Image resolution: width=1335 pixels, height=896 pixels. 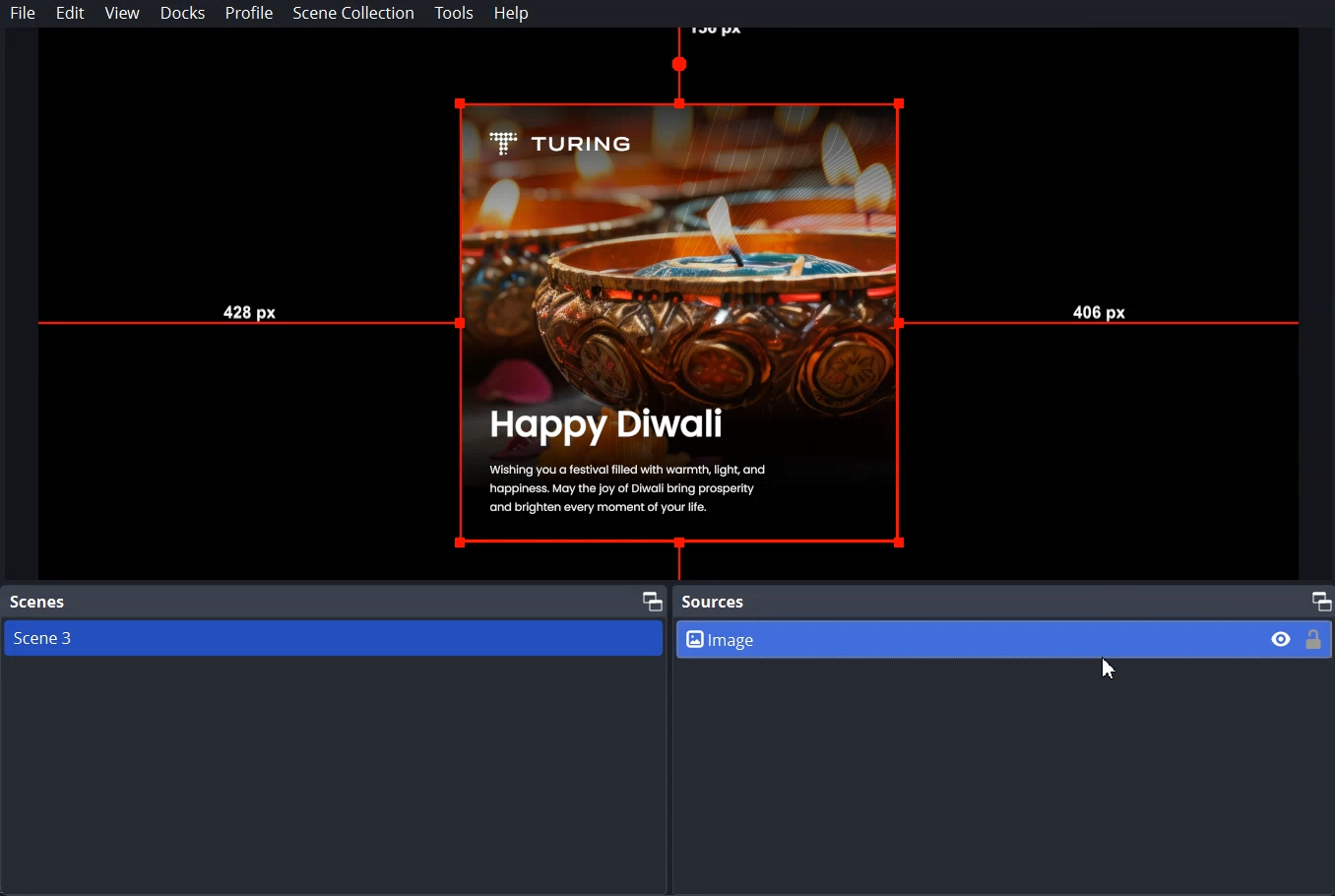 I want to click on Profile, so click(x=249, y=14).